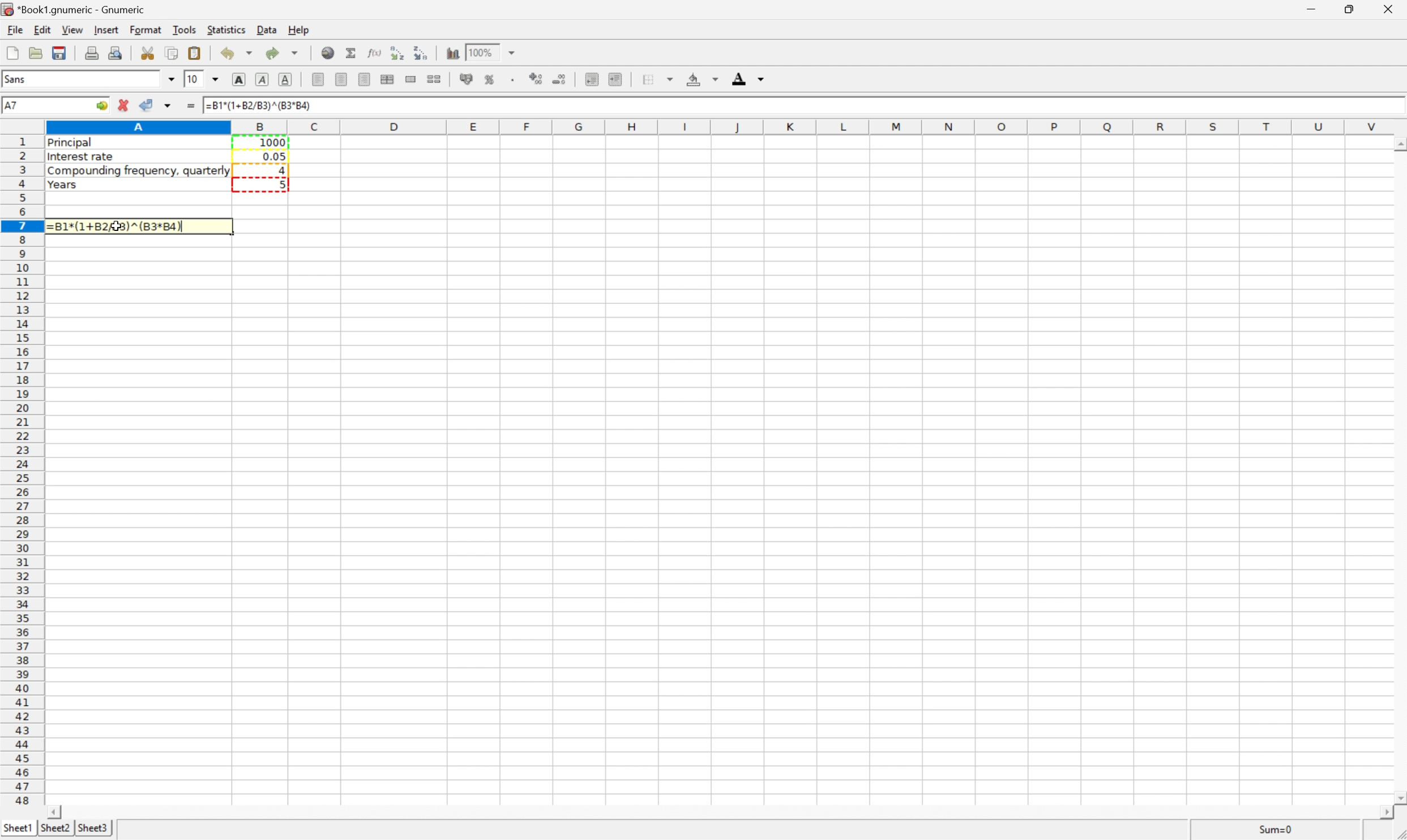 The height and width of the screenshot is (840, 1407). What do you see at coordinates (62, 186) in the screenshot?
I see `years` at bounding box center [62, 186].